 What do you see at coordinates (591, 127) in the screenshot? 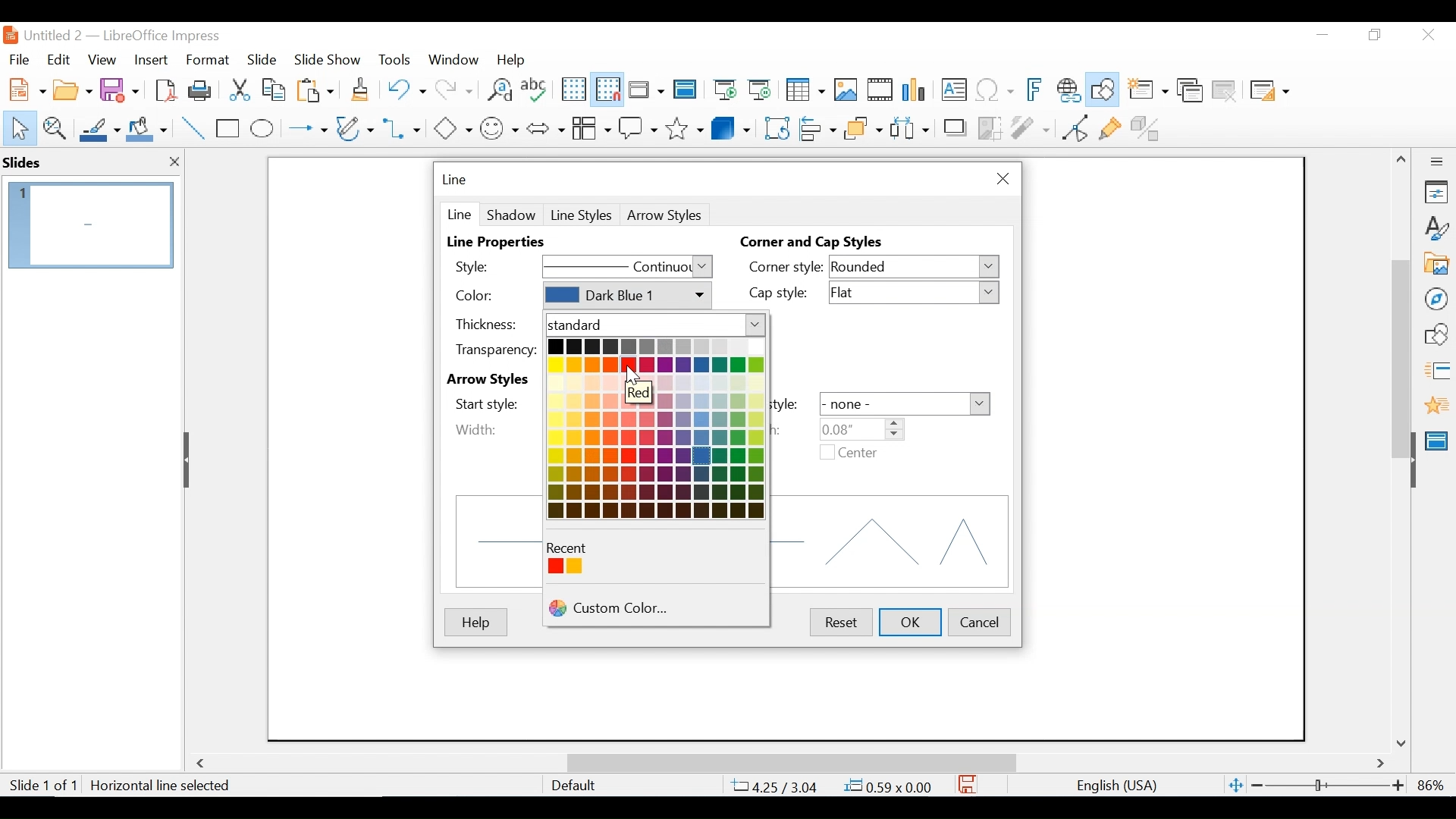
I see `` at bounding box center [591, 127].